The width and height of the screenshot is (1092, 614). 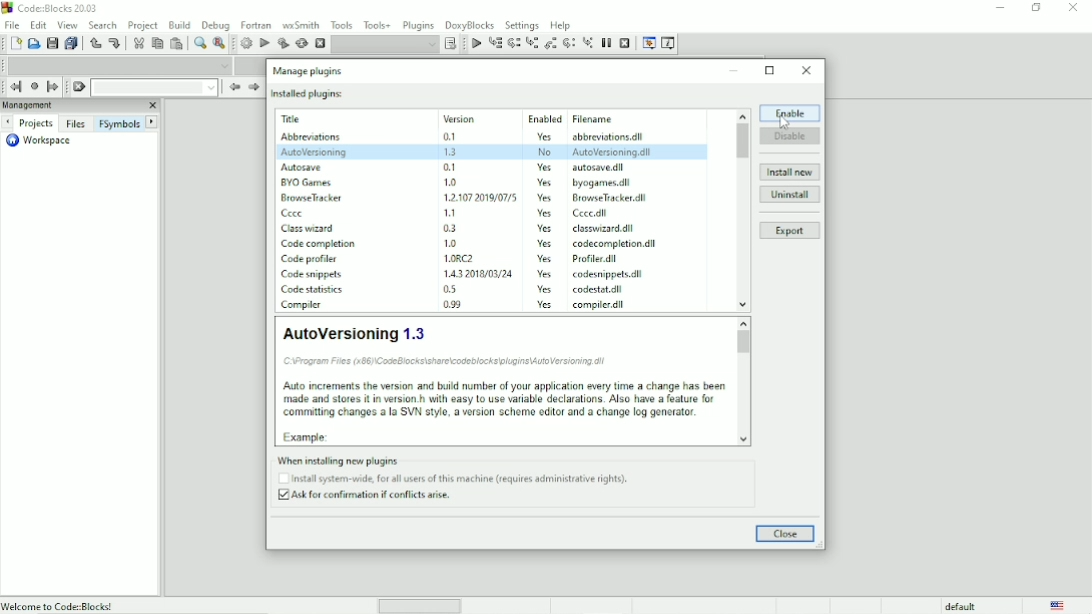 I want to click on Cursor, so click(x=784, y=122).